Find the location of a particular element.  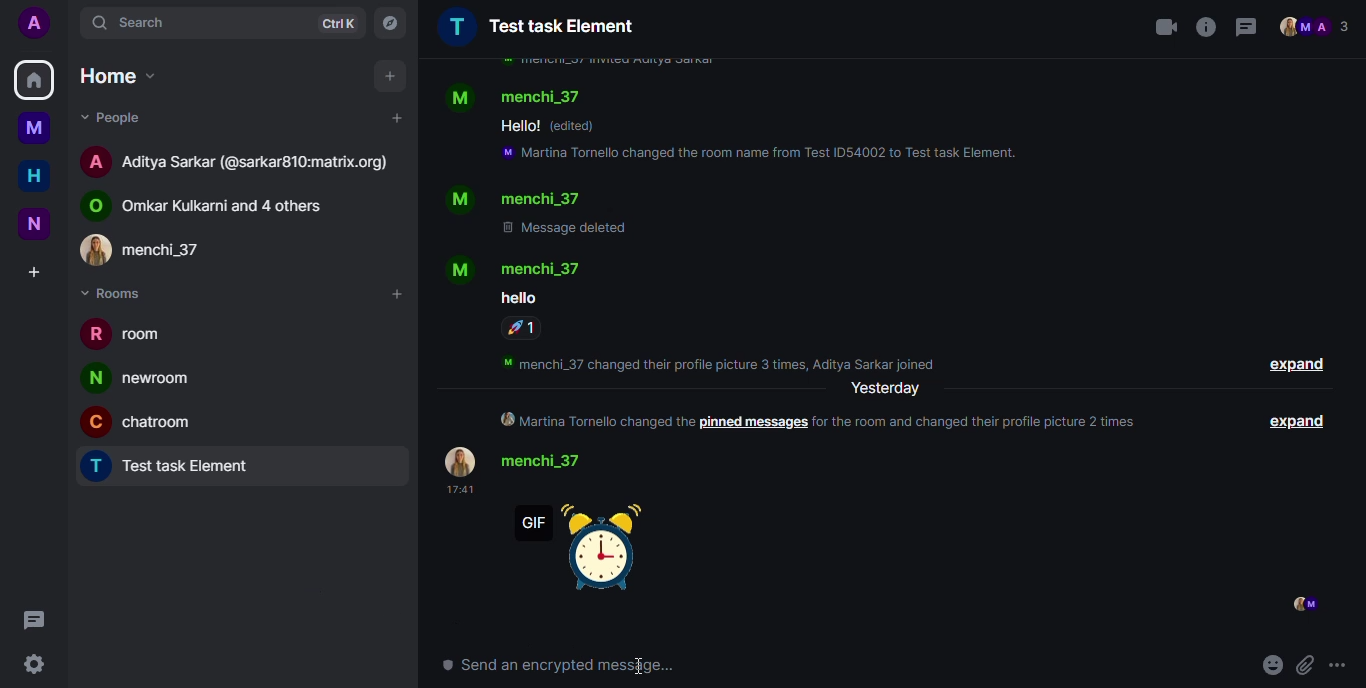

explore rooms is located at coordinates (389, 22).